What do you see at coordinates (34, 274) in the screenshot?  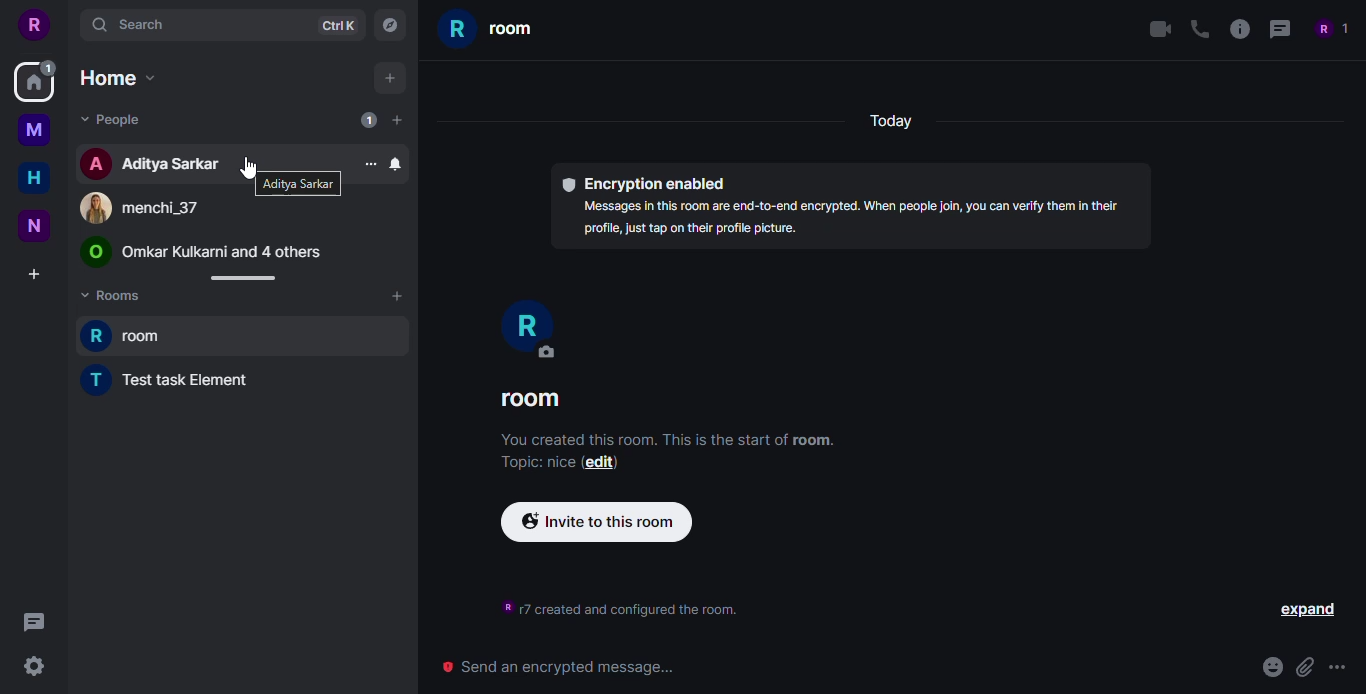 I see `create a space` at bounding box center [34, 274].